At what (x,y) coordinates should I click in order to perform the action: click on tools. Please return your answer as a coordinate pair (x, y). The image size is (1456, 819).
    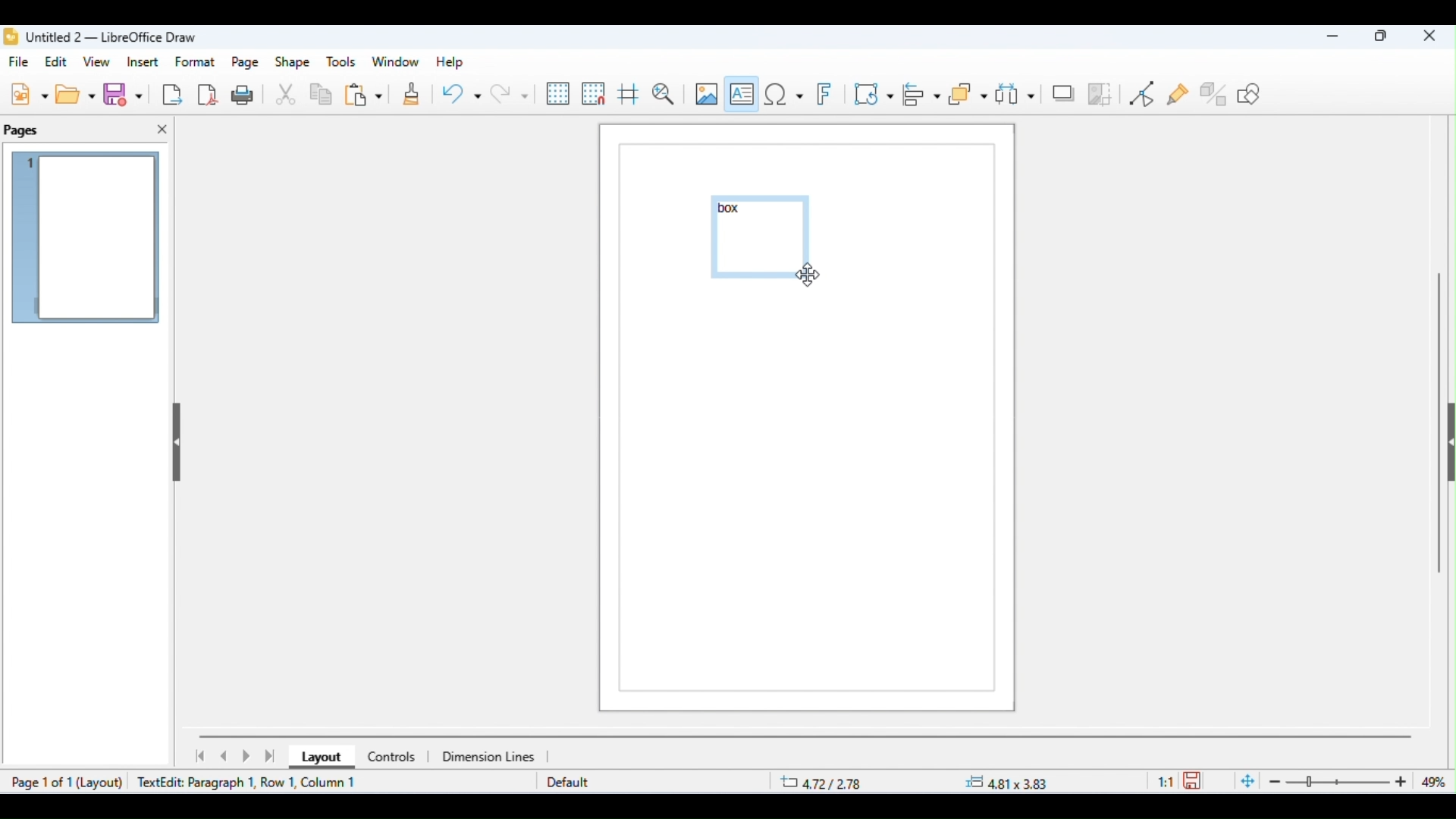
    Looking at the image, I should click on (341, 62).